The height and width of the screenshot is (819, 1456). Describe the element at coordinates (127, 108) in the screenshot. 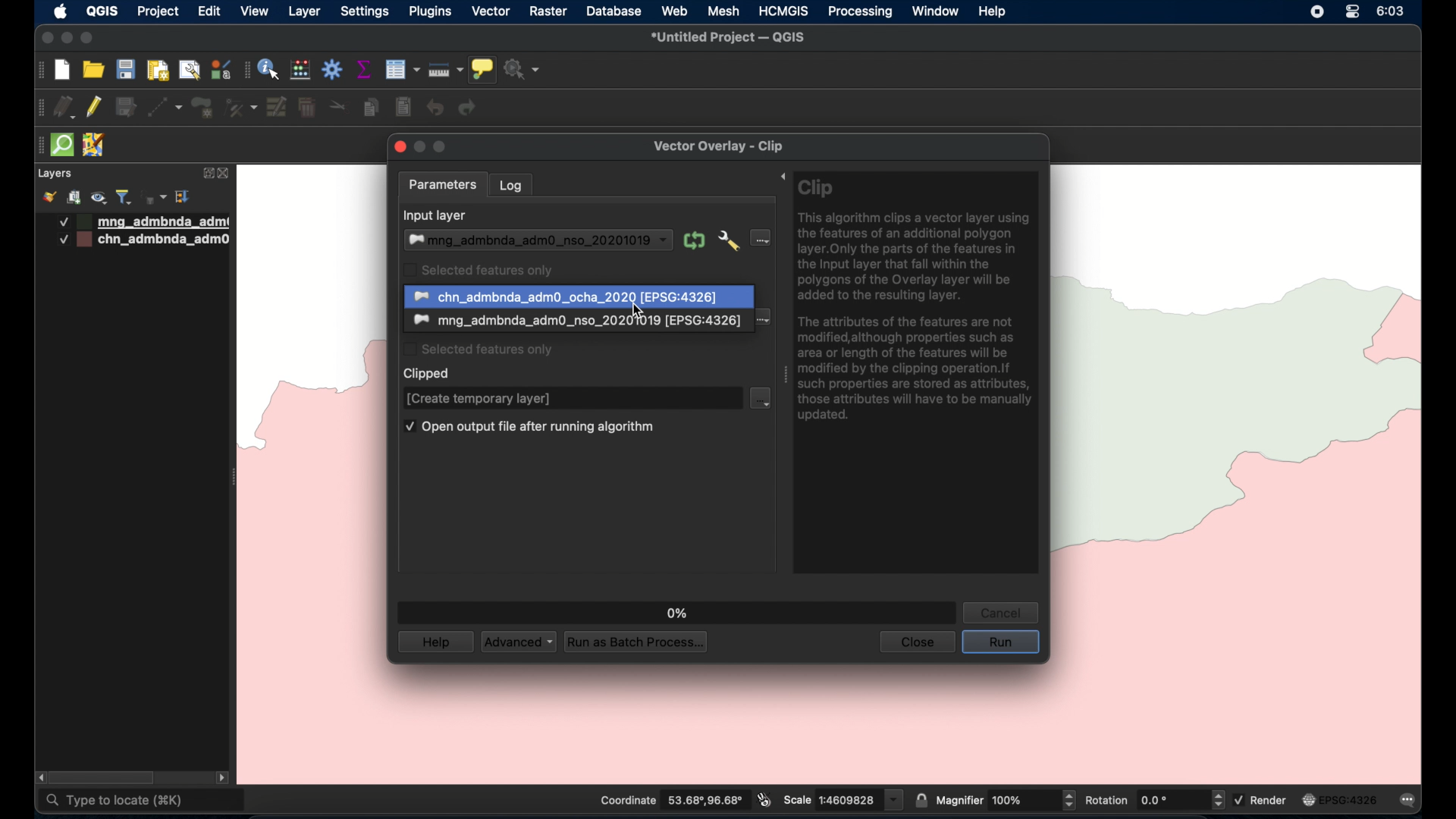

I see `save edits` at that location.